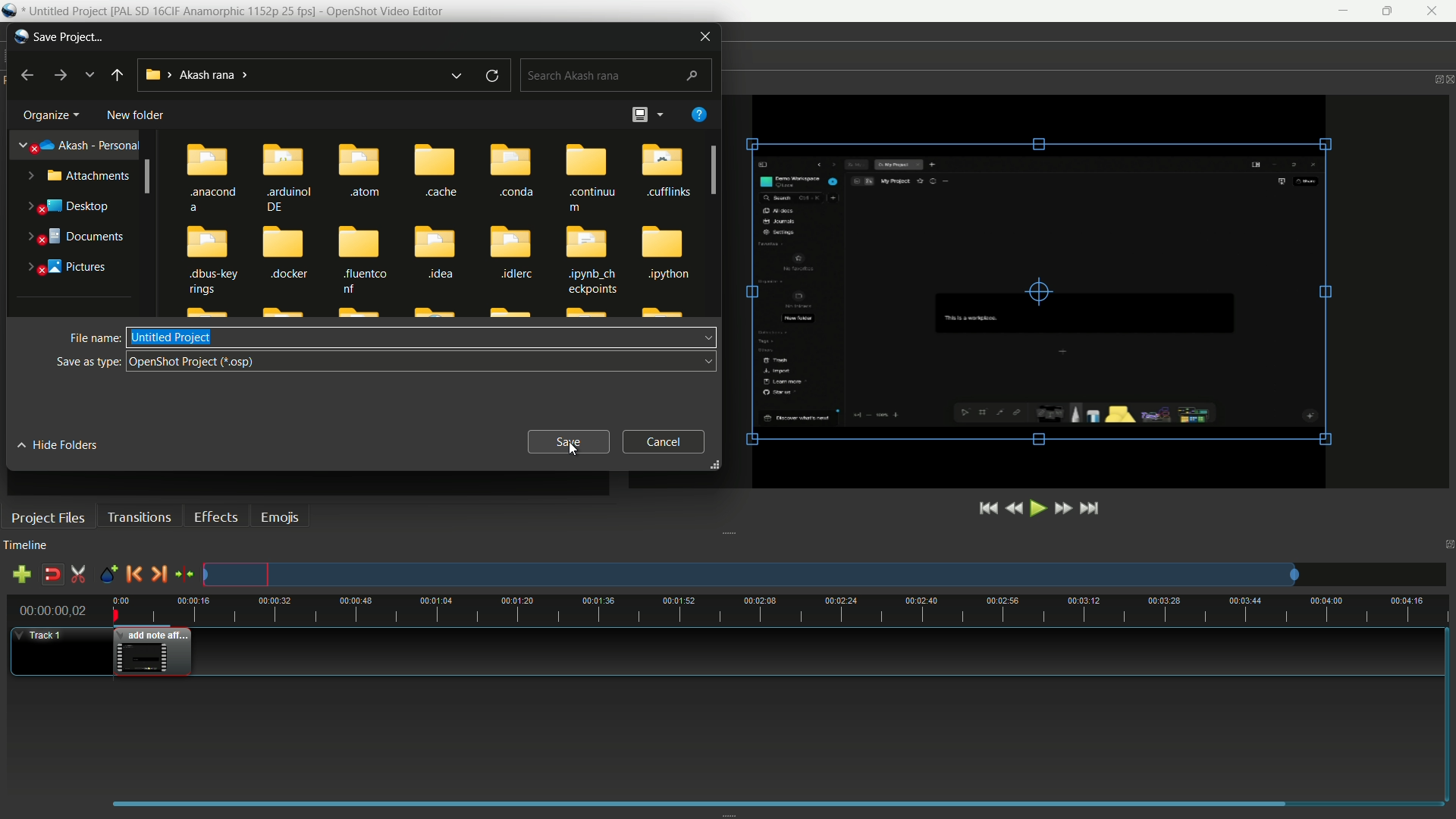  Describe the element at coordinates (989, 509) in the screenshot. I see `jump to start` at that location.